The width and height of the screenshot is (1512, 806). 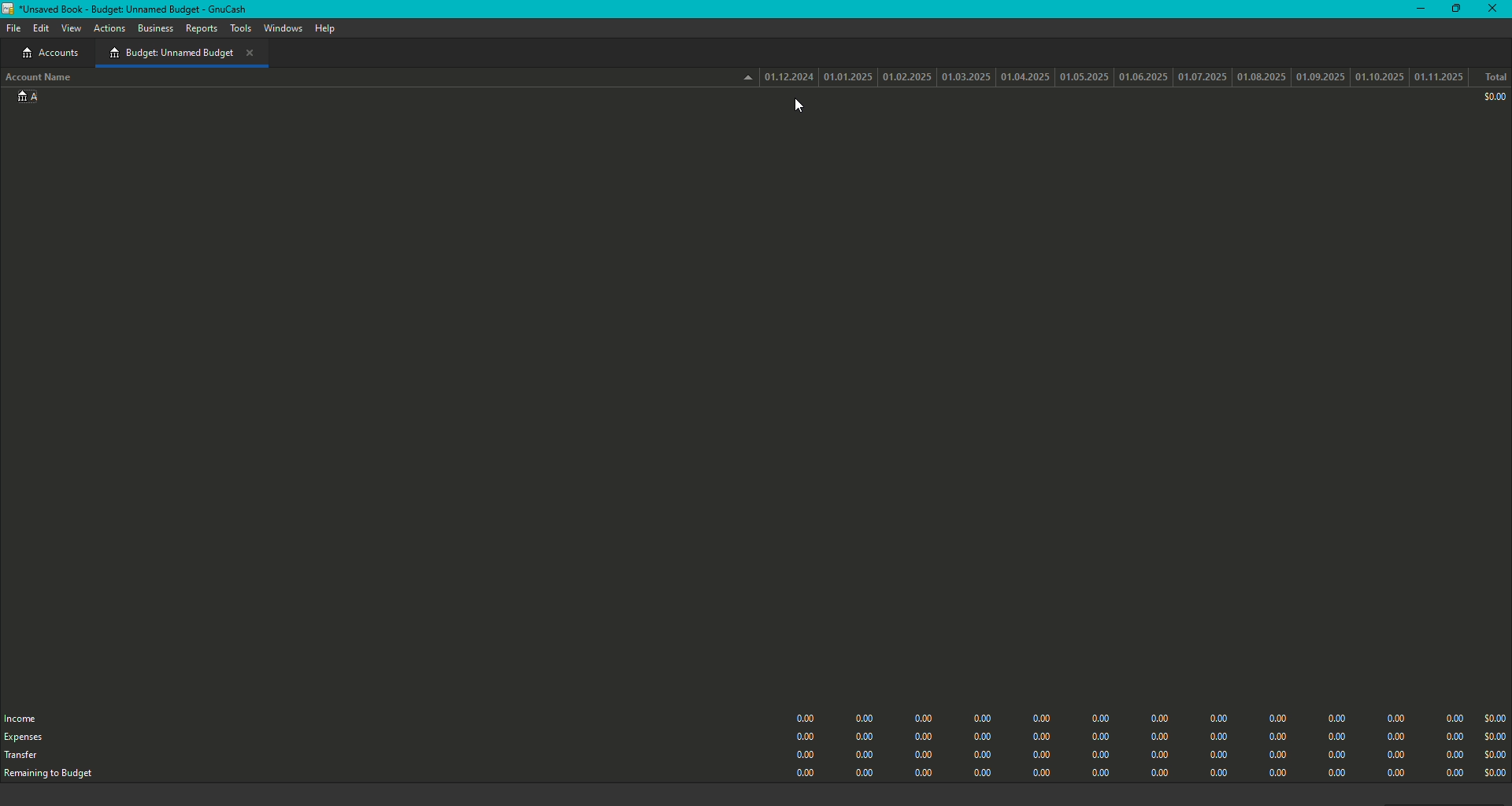 What do you see at coordinates (41, 30) in the screenshot?
I see `Edit` at bounding box center [41, 30].